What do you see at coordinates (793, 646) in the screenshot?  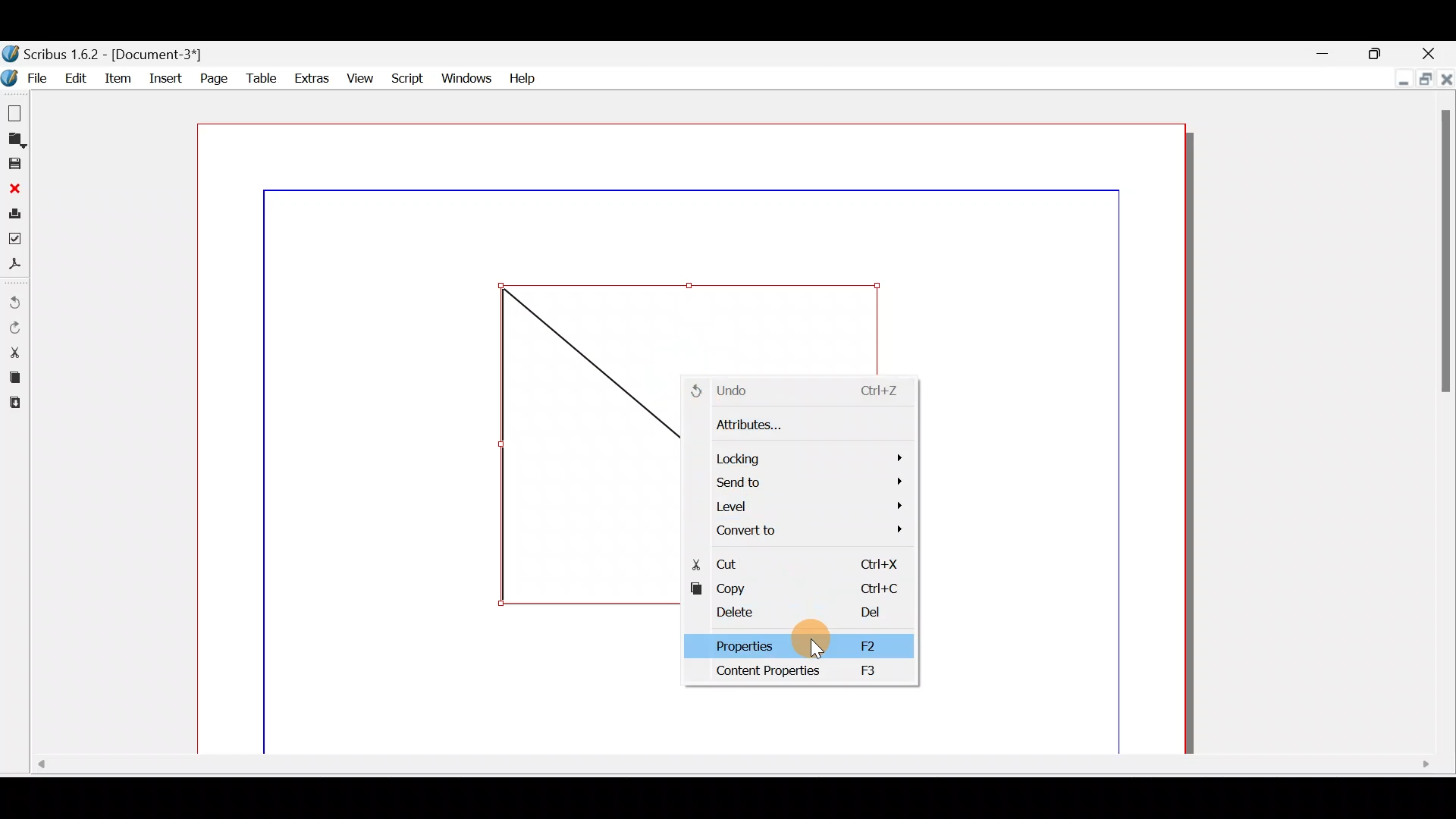 I see `Properties` at bounding box center [793, 646].